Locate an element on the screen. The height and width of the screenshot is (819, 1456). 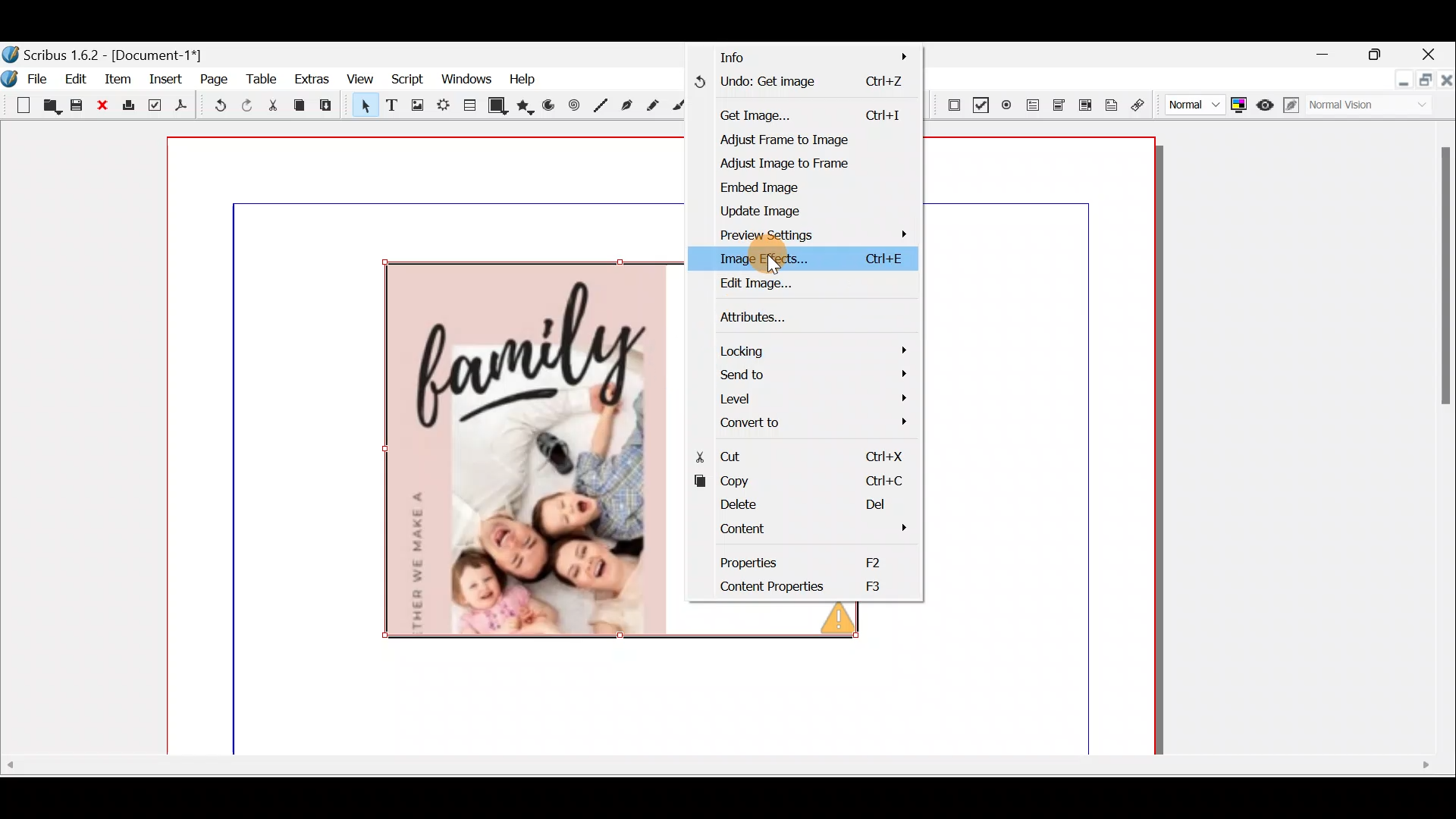
Edit in preview mode is located at coordinates (1294, 105).